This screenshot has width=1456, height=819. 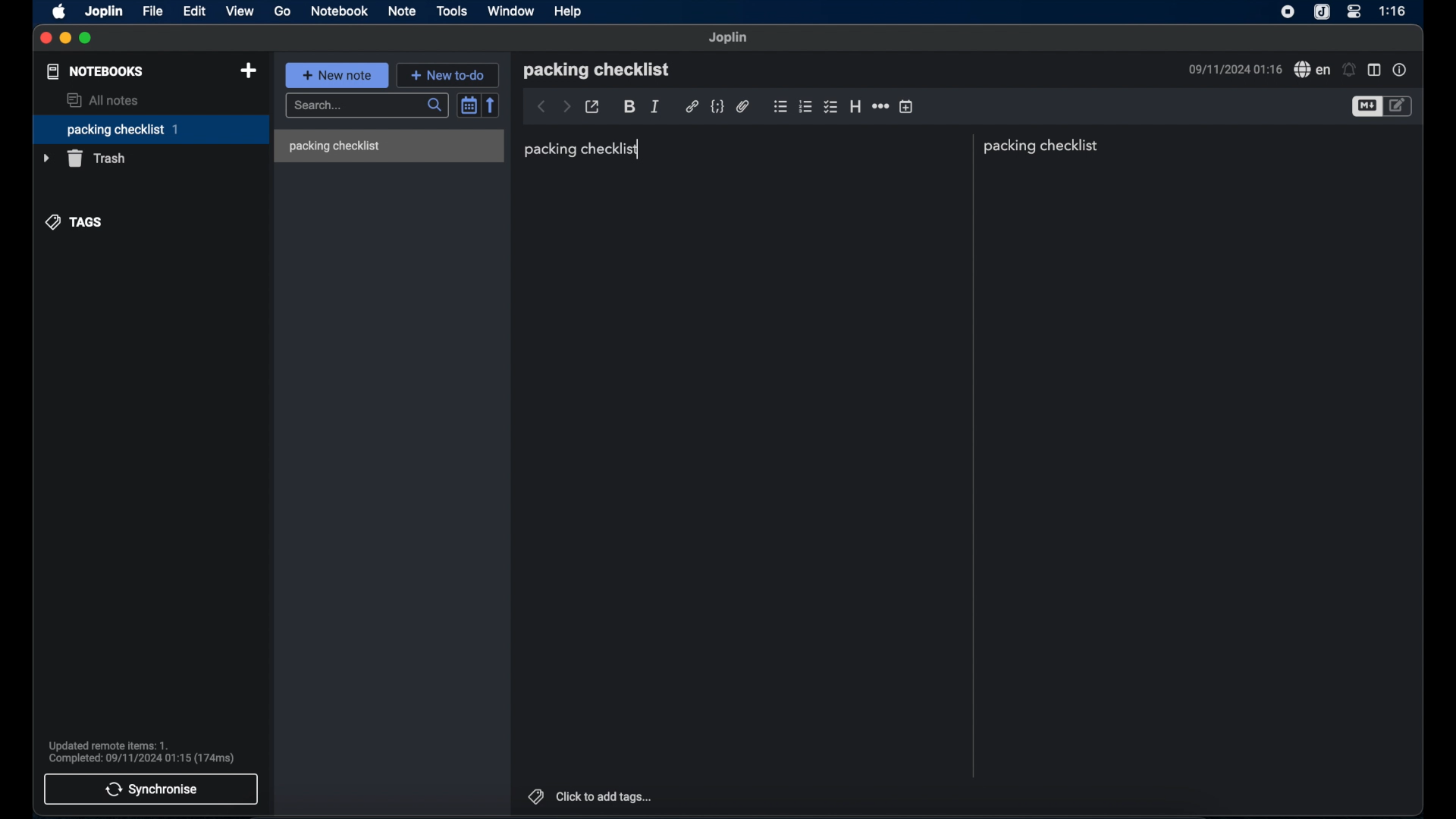 I want to click on notebook, so click(x=339, y=11).